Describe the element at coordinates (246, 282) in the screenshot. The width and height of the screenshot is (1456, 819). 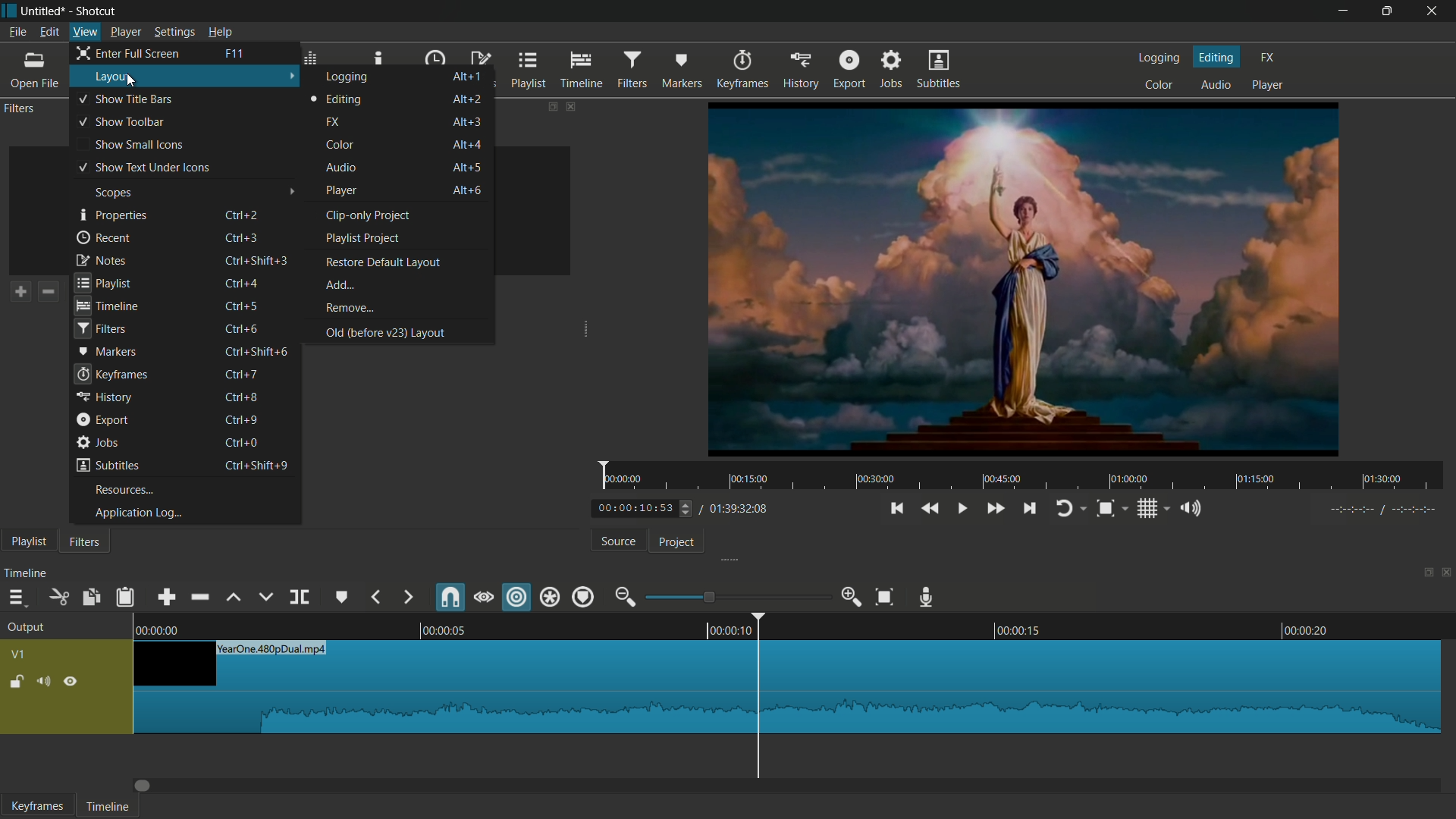
I see `keyboard shortcut` at that location.